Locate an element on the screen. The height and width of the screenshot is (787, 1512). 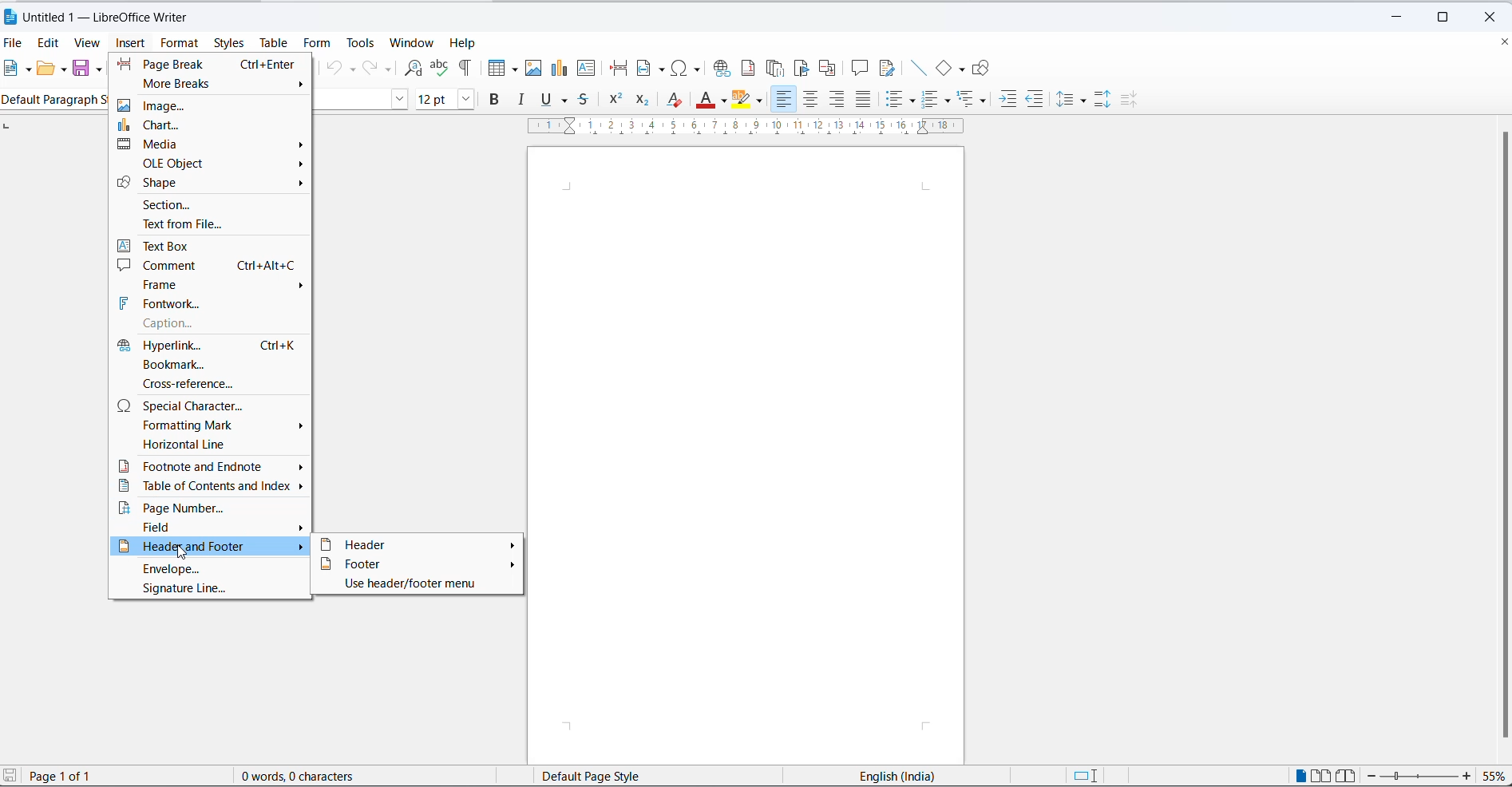
form is located at coordinates (319, 43).